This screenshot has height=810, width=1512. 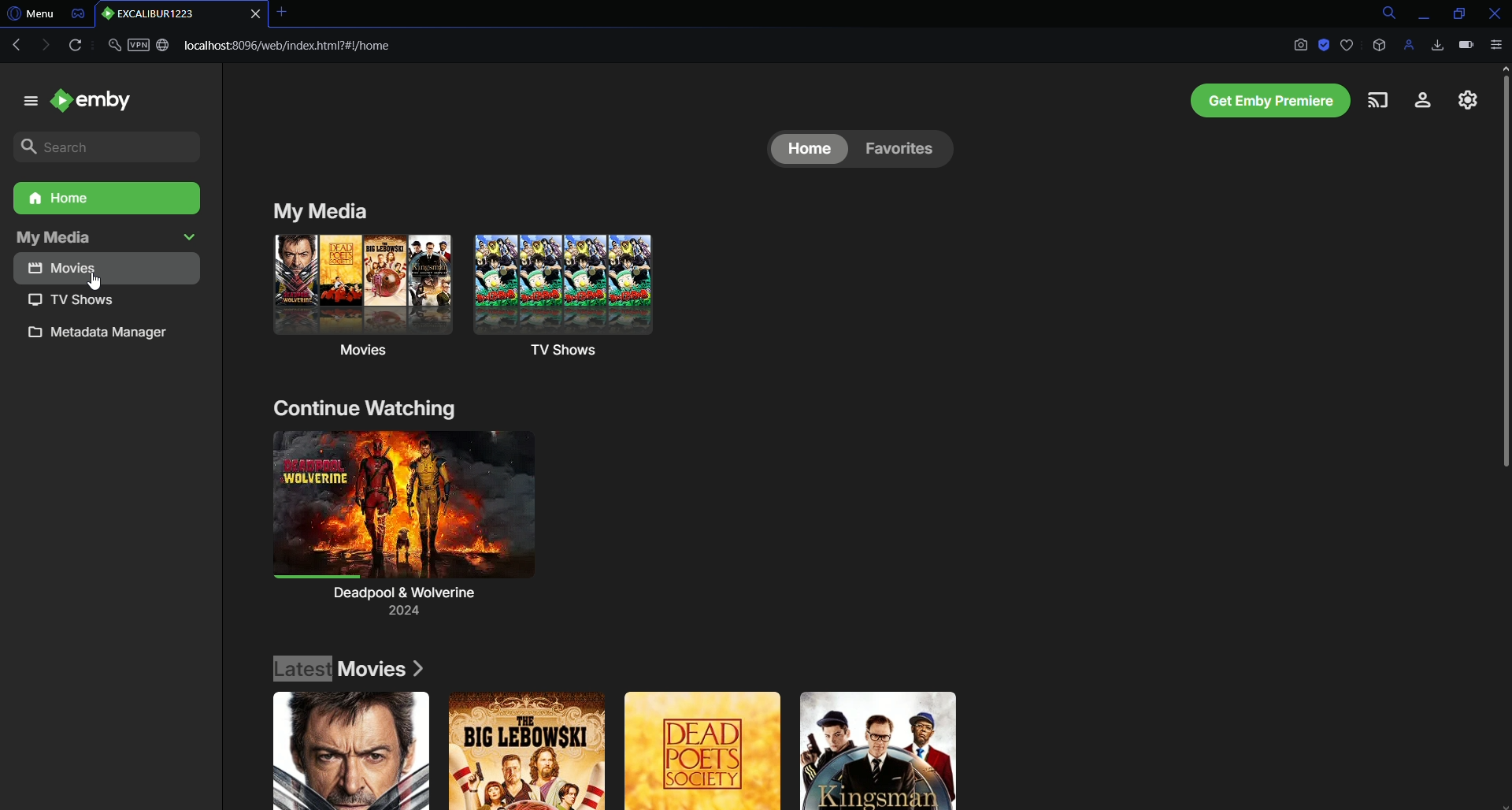 What do you see at coordinates (1454, 13) in the screenshot?
I see `Restore` at bounding box center [1454, 13].